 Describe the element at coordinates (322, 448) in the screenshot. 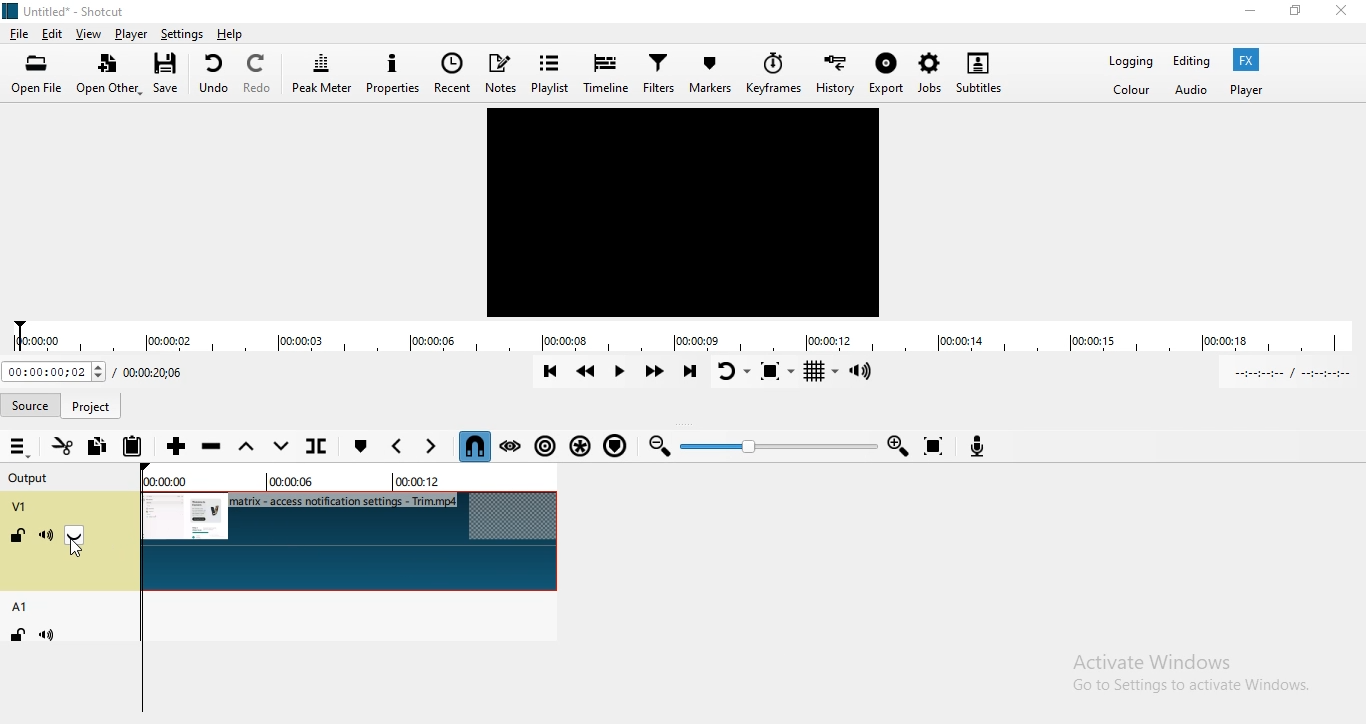

I see `Split at playhead` at that location.